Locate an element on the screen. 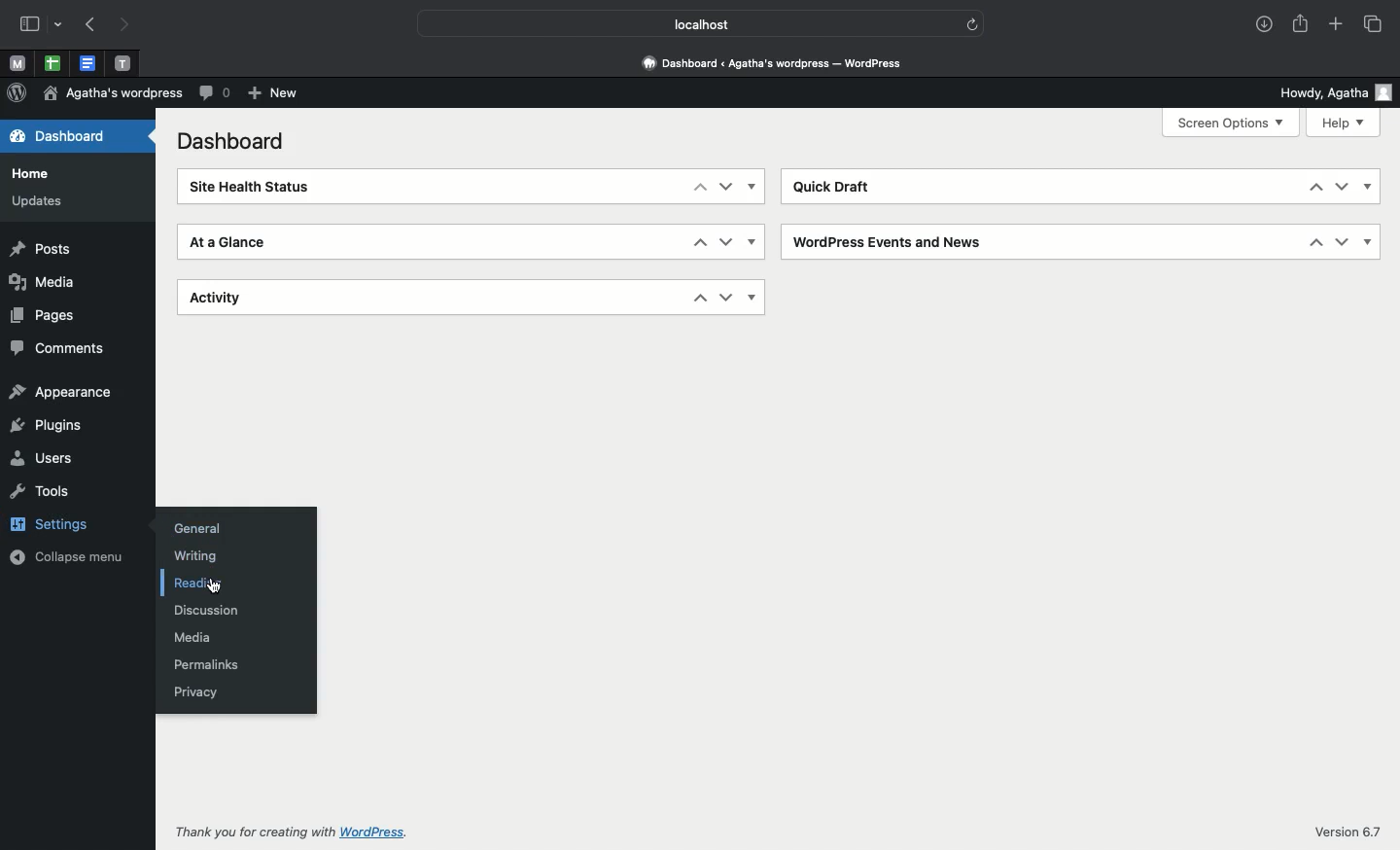 The height and width of the screenshot is (850, 1400). Dashboard is located at coordinates (234, 141).